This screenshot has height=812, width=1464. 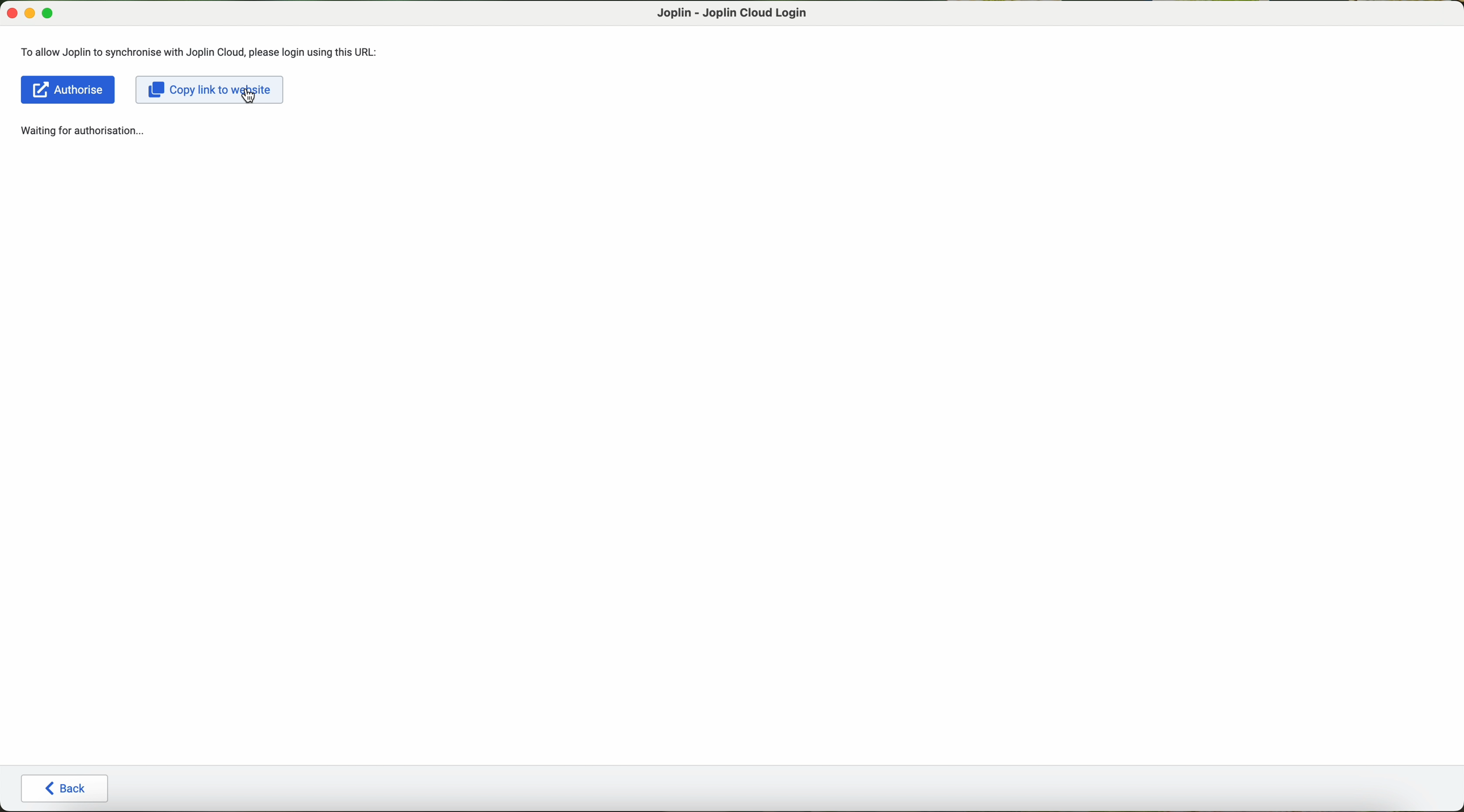 I want to click on cursor, so click(x=250, y=97).